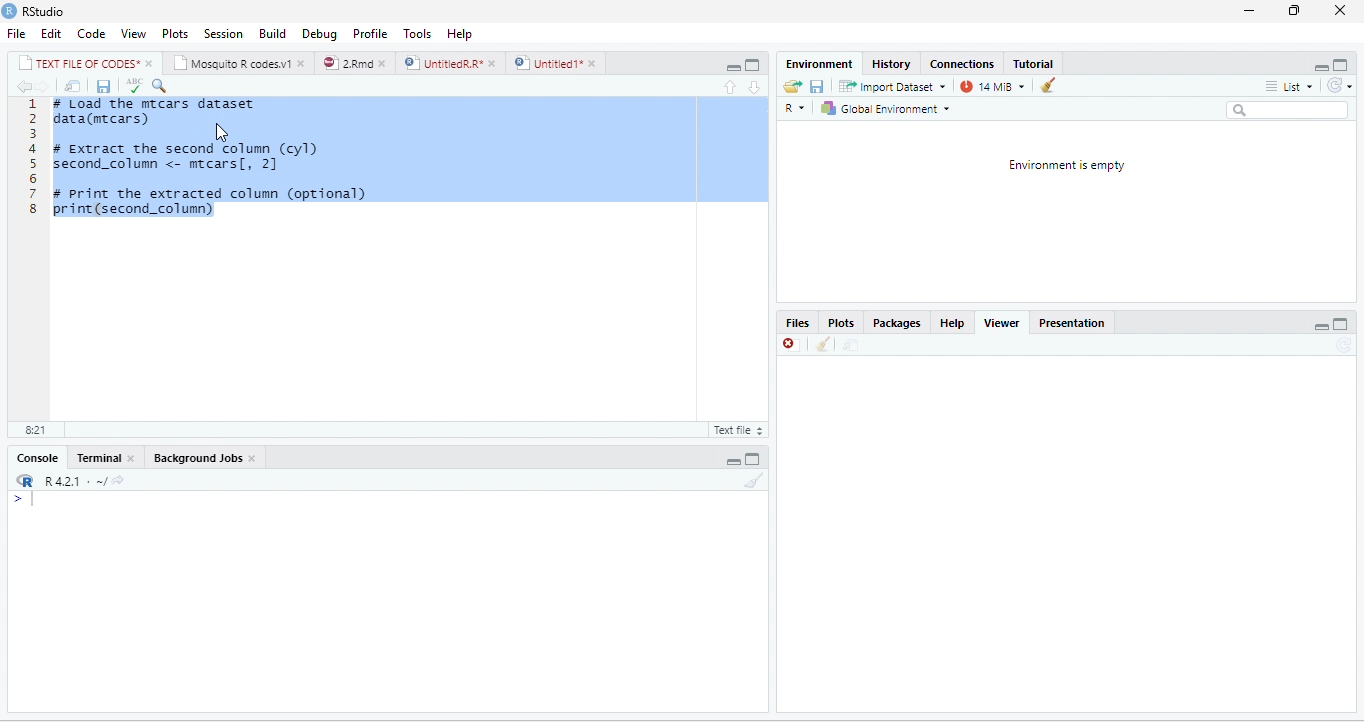  I want to click on close, so click(384, 62).